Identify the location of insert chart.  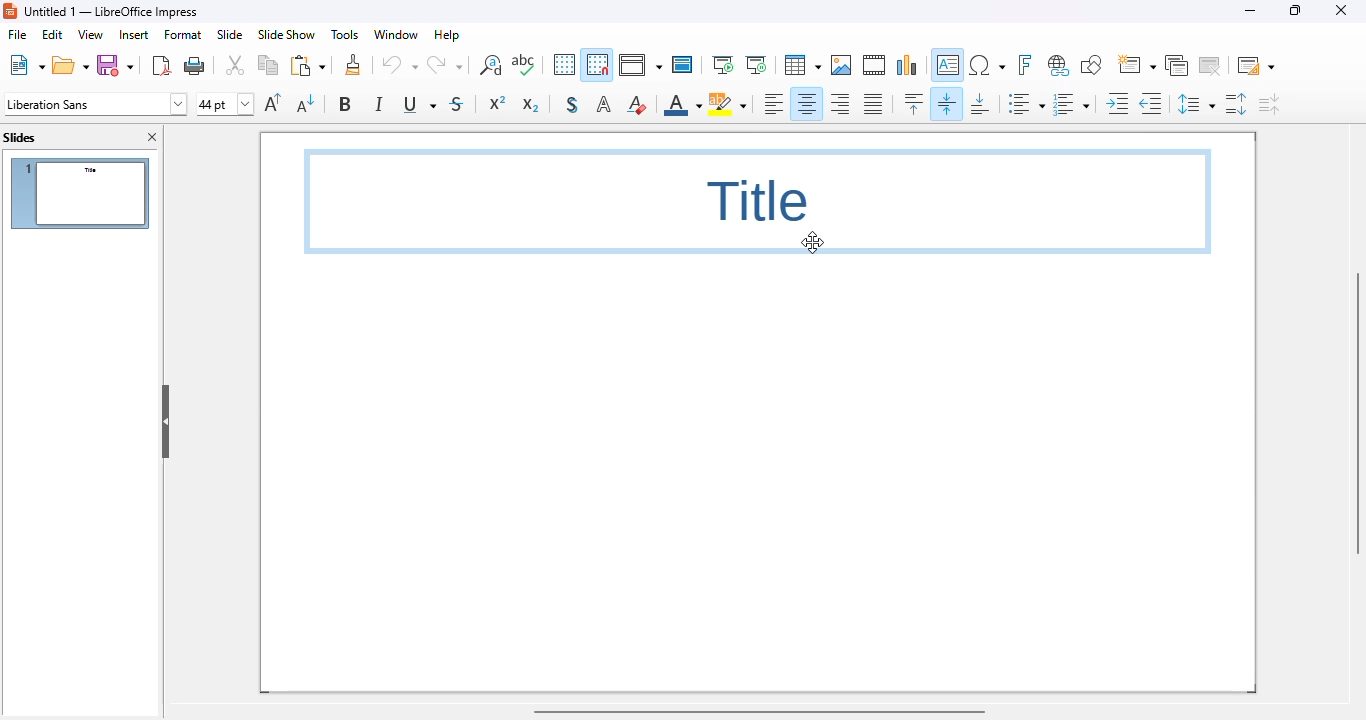
(908, 65).